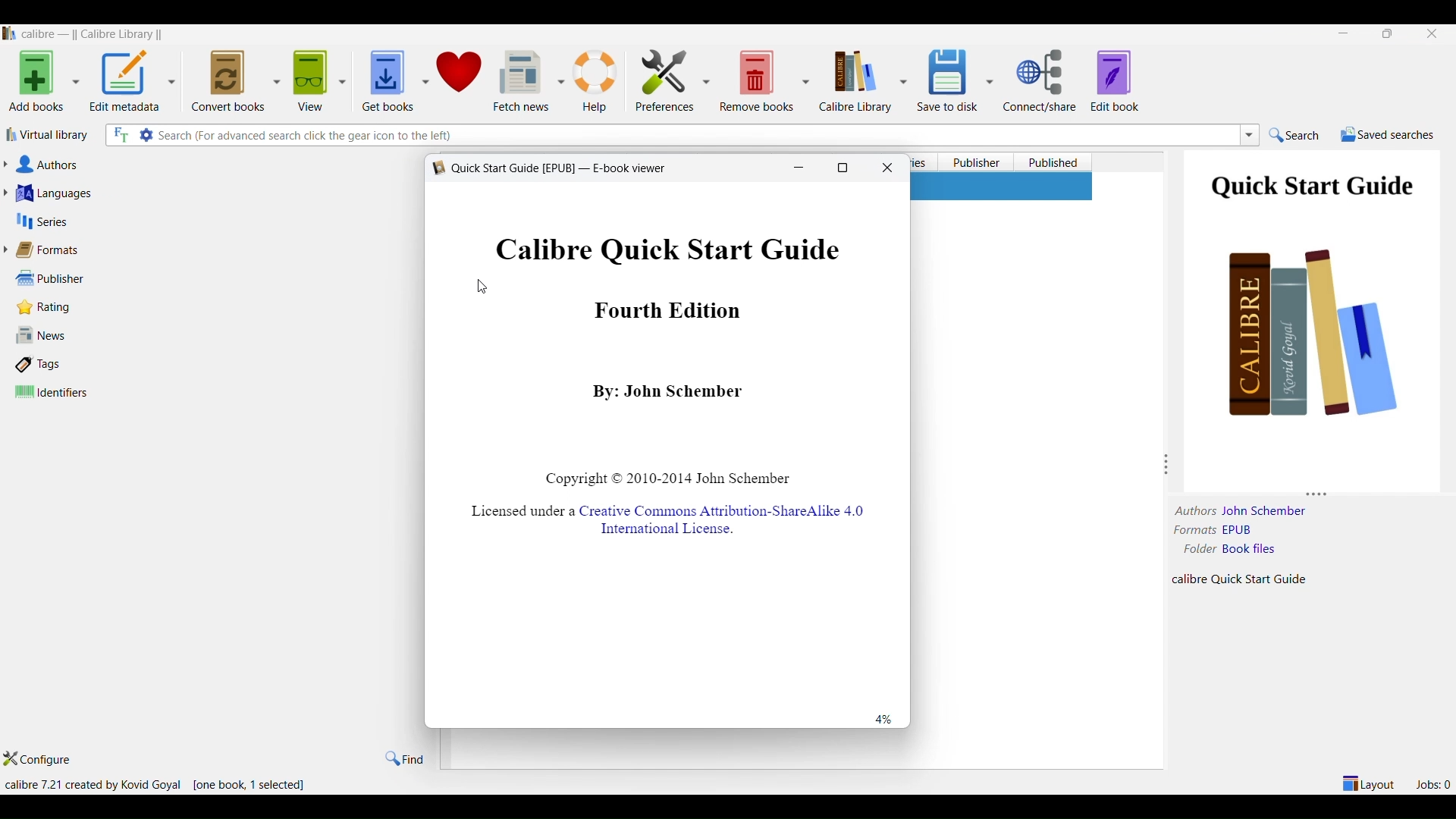  I want to click on virtual library, so click(52, 134).